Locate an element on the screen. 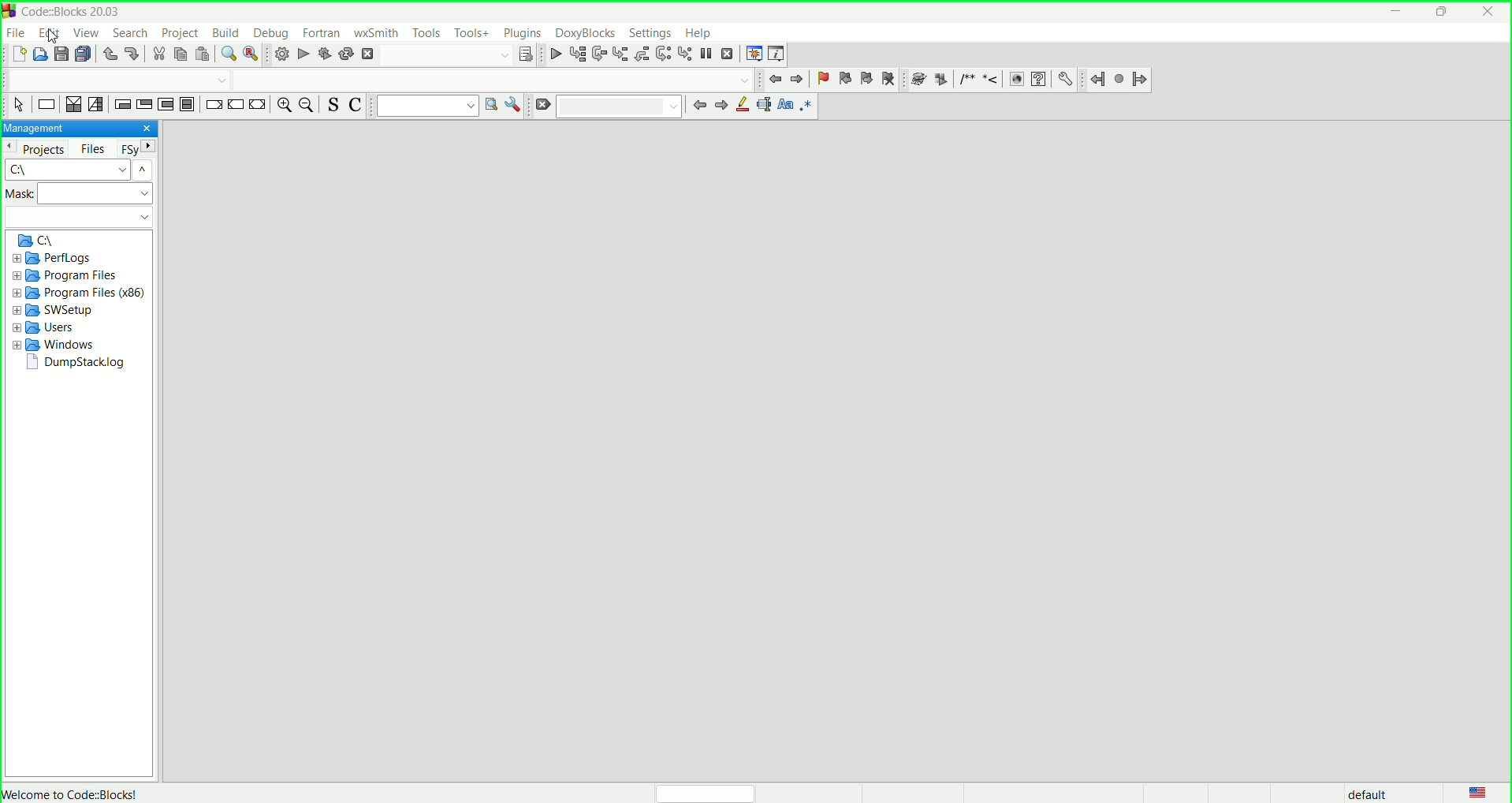 The width and height of the screenshot is (1512, 803). minimize/maximize is located at coordinates (1441, 13).